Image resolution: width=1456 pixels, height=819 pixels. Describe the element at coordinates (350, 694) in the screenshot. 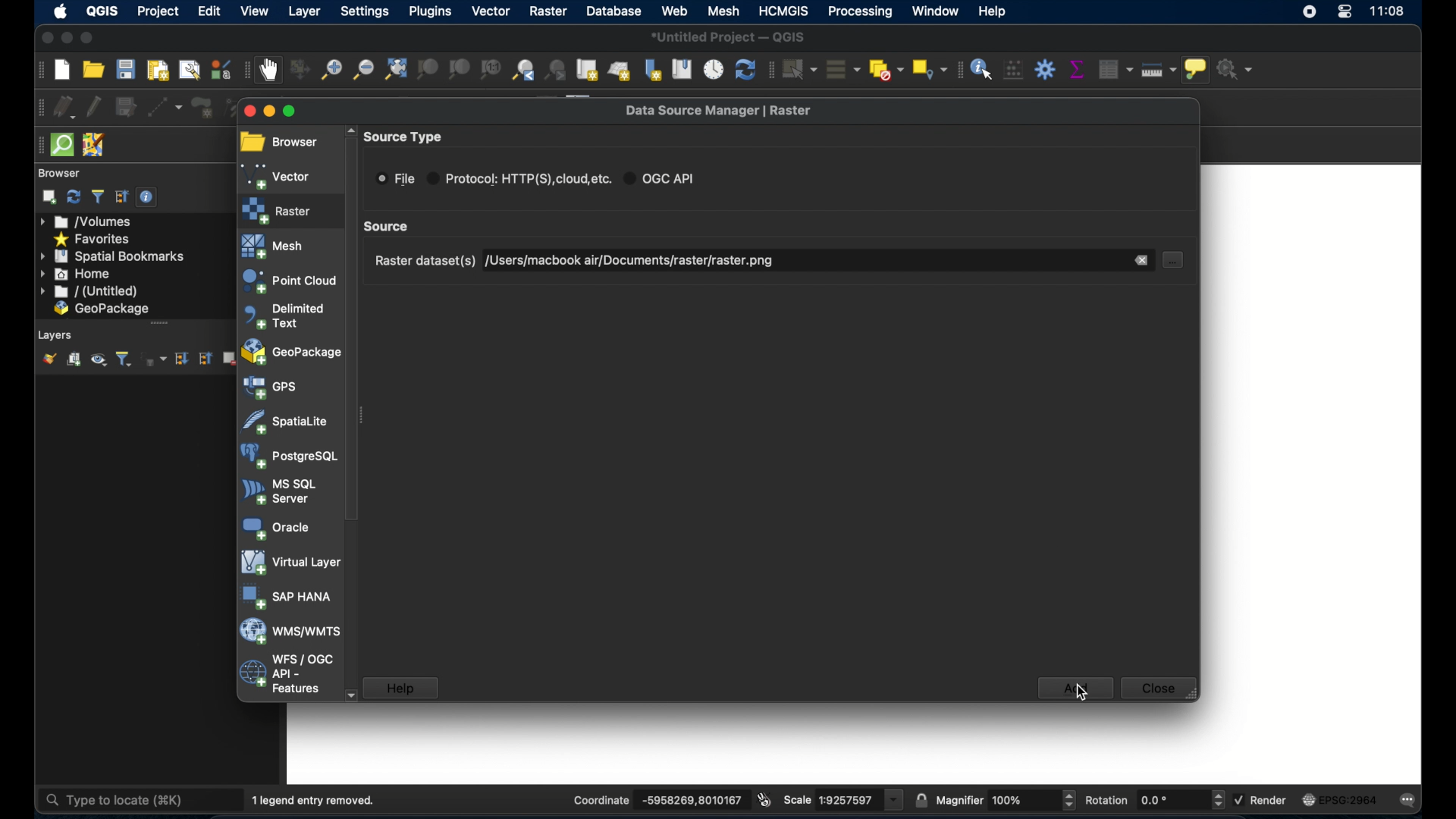

I see `scroll down arrow` at that location.